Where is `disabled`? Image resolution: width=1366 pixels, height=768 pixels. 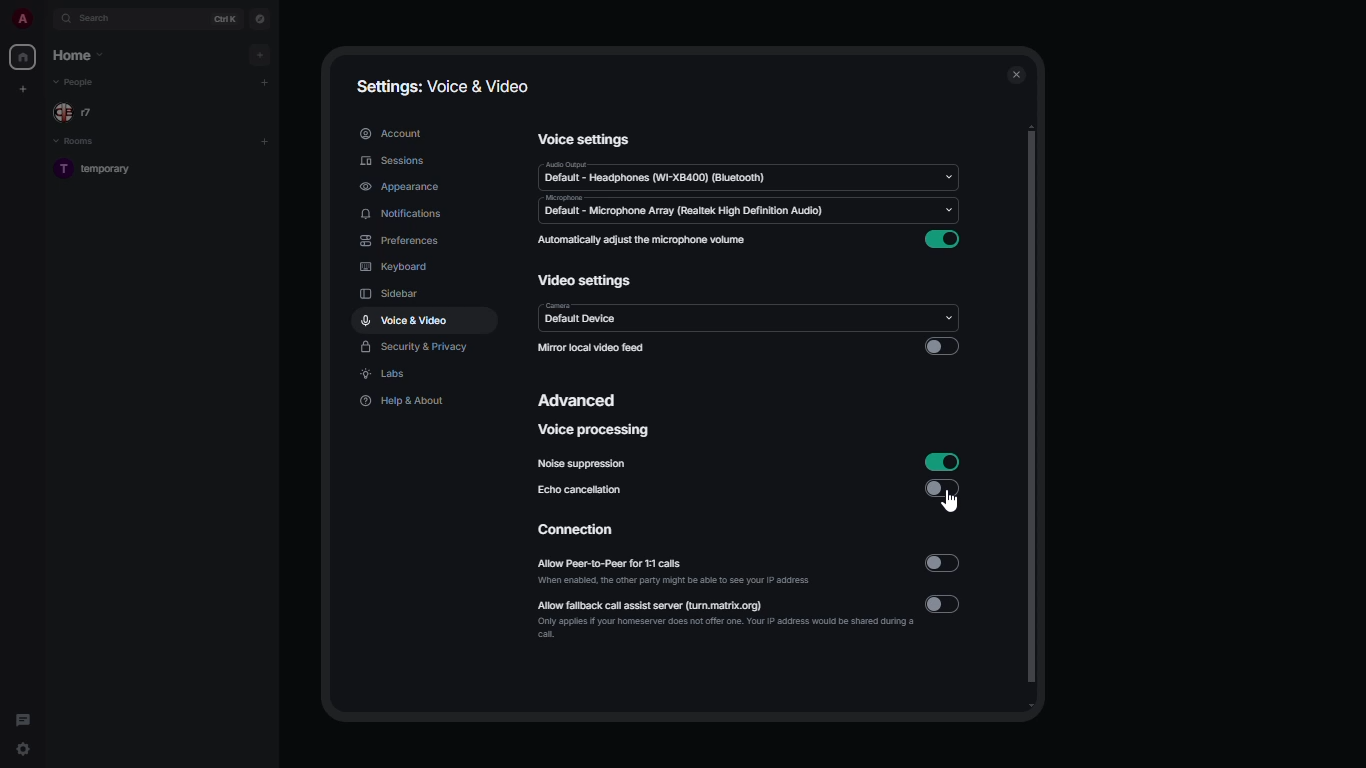
disabled is located at coordinates (942, 563).